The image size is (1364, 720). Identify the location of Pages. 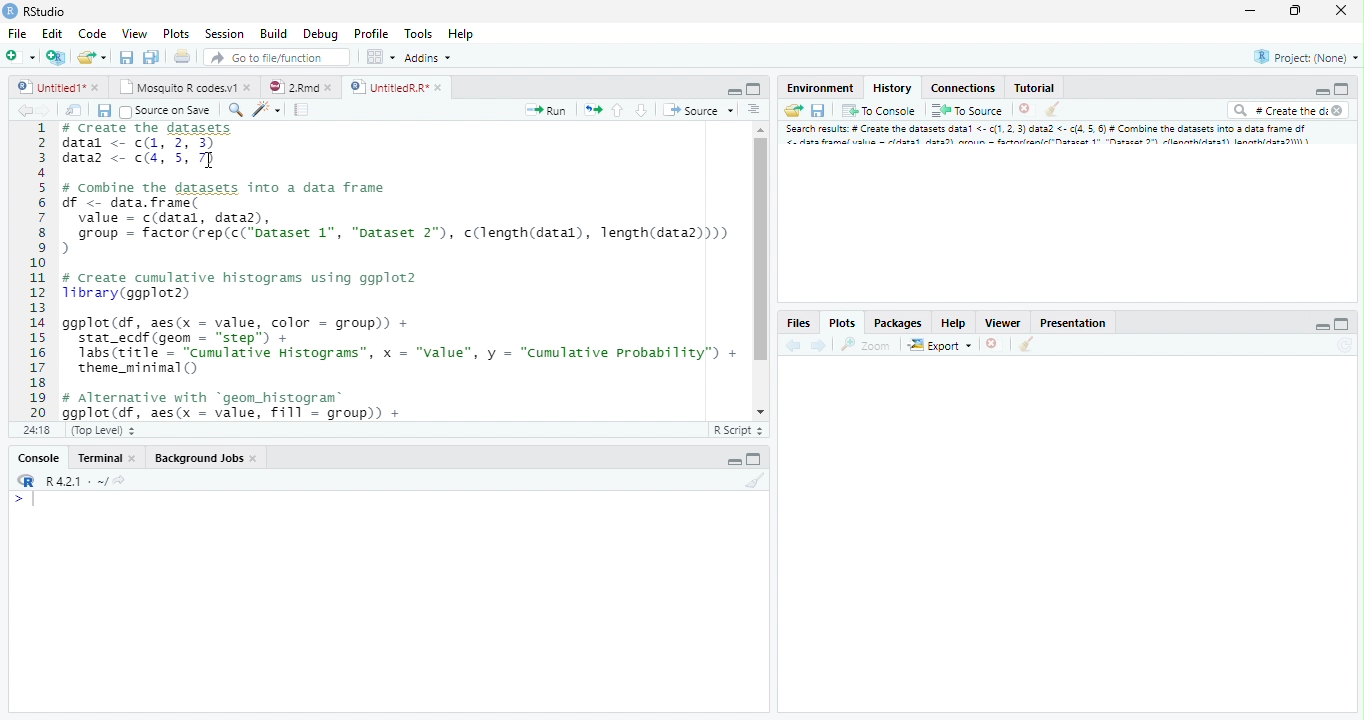
(300, 111).